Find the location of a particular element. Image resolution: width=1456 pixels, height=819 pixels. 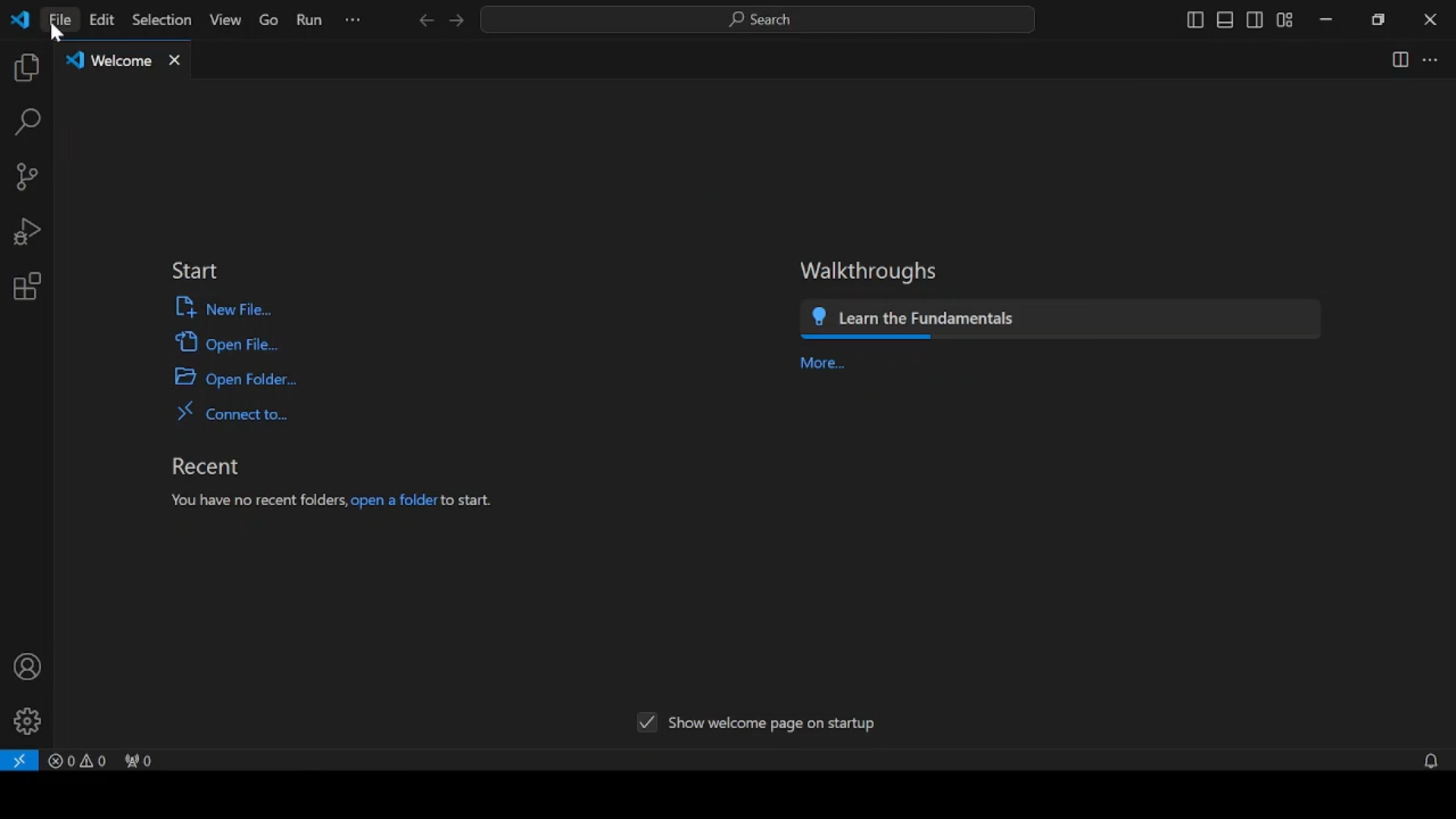

restore down is located at coordinates (1379, 20).